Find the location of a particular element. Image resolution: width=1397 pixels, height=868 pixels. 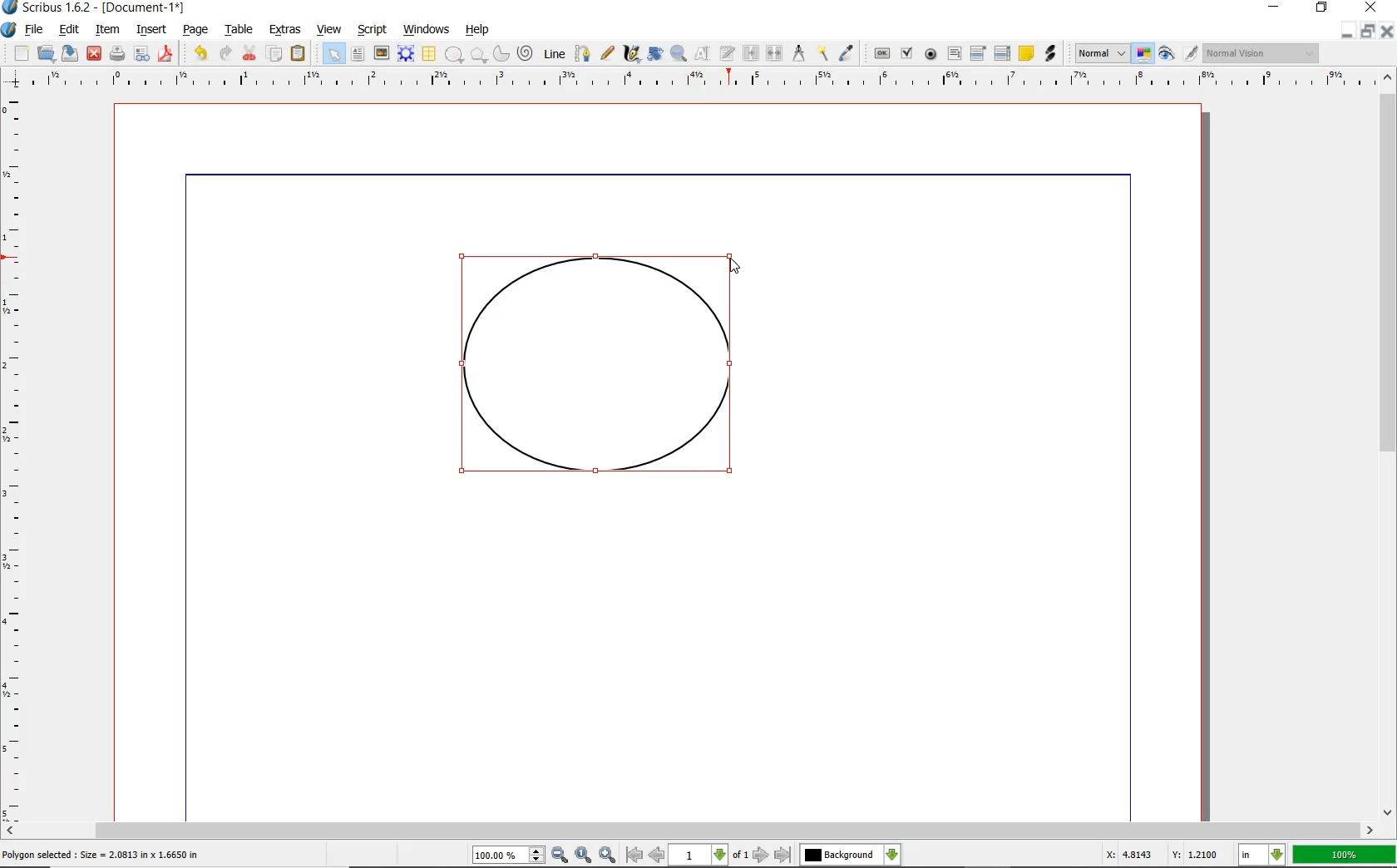

TABLE is located at coordinates (428, 54).